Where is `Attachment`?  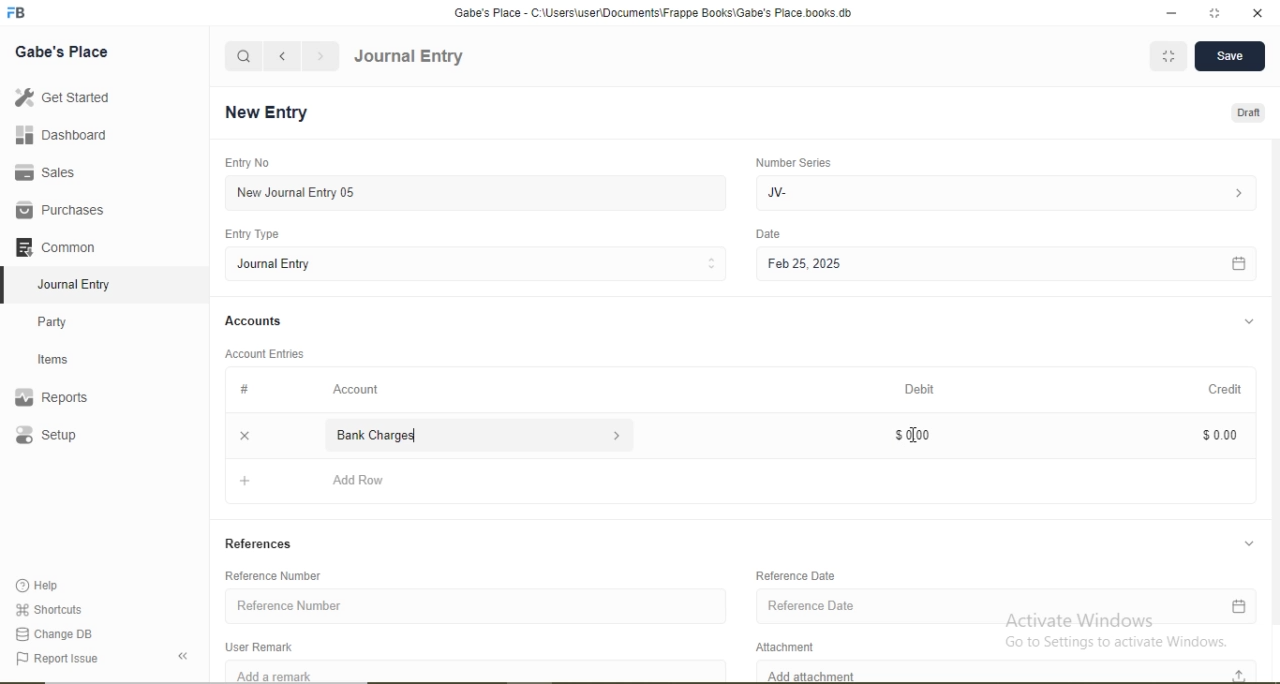 Attachment is located at coordinates (792, 644).